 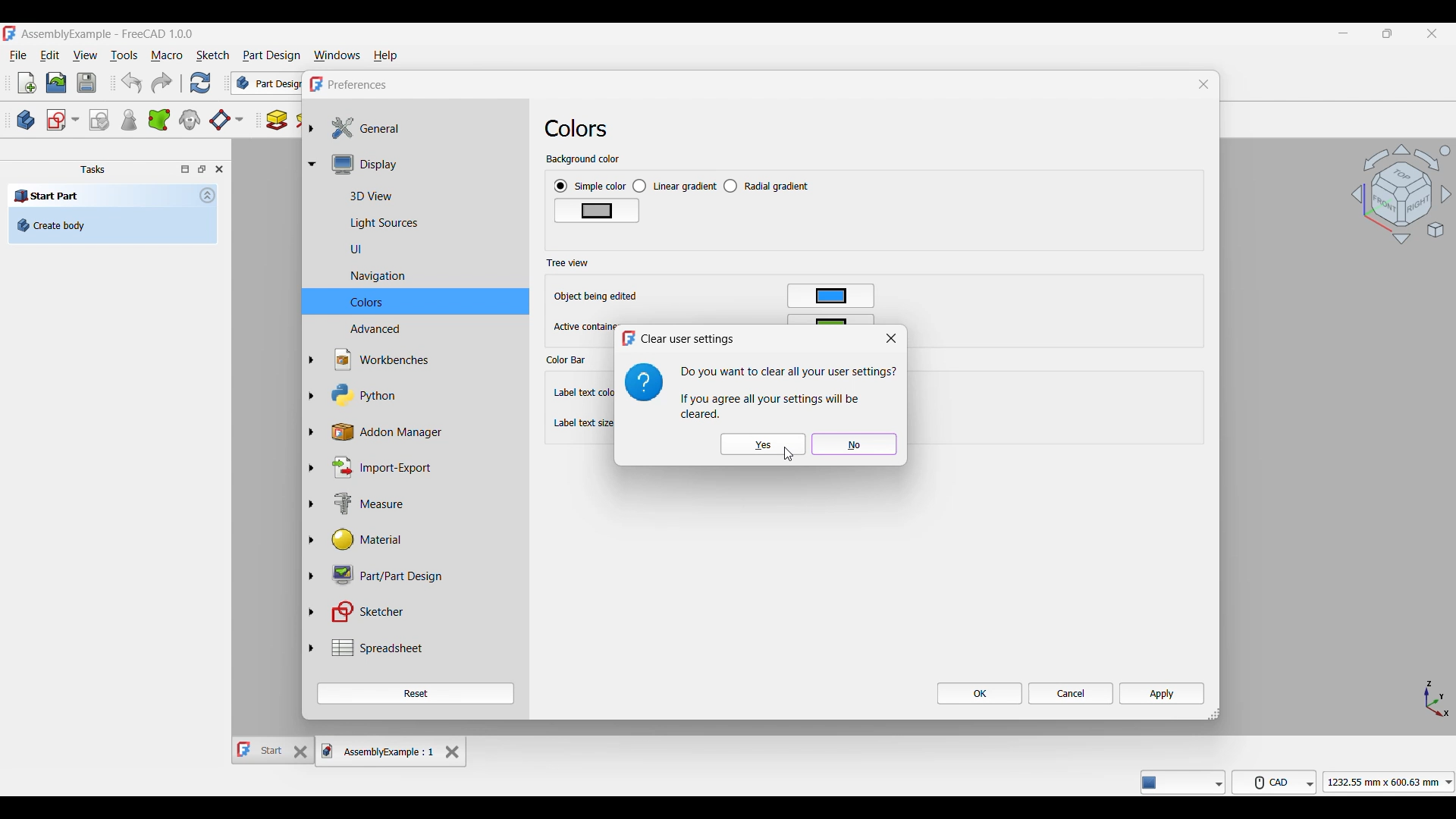 What do you see at coordinates (981, 693) in the screenshot?
I see `OK` at bounding box center [981, 693].